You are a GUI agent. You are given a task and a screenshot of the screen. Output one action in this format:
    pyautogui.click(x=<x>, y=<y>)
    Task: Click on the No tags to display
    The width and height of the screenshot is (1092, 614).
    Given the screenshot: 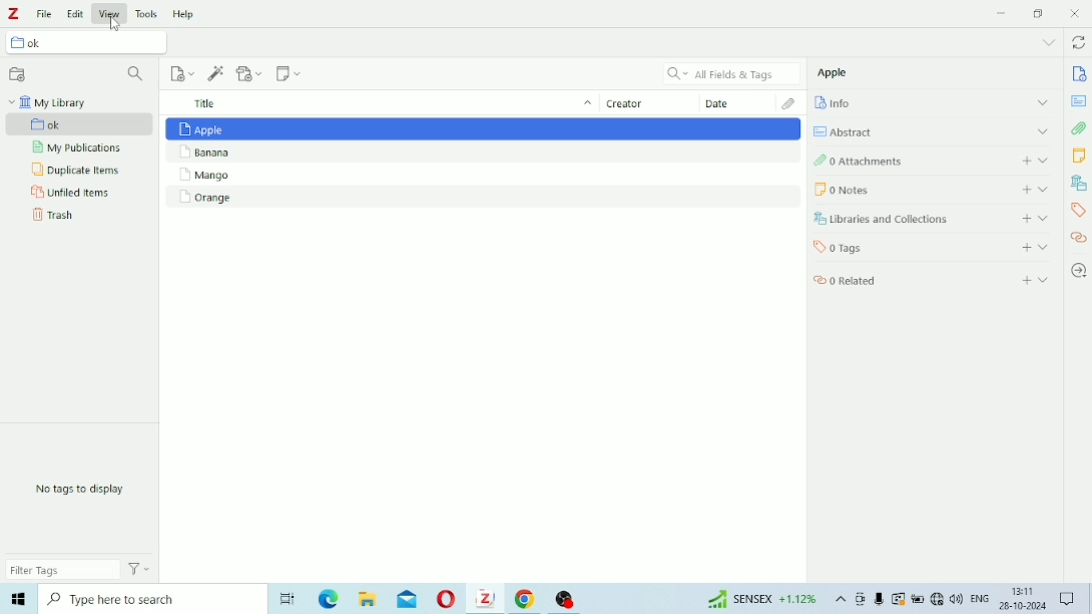 What is the action you would take?
    pyautogui.click(x=87, y=490)
    